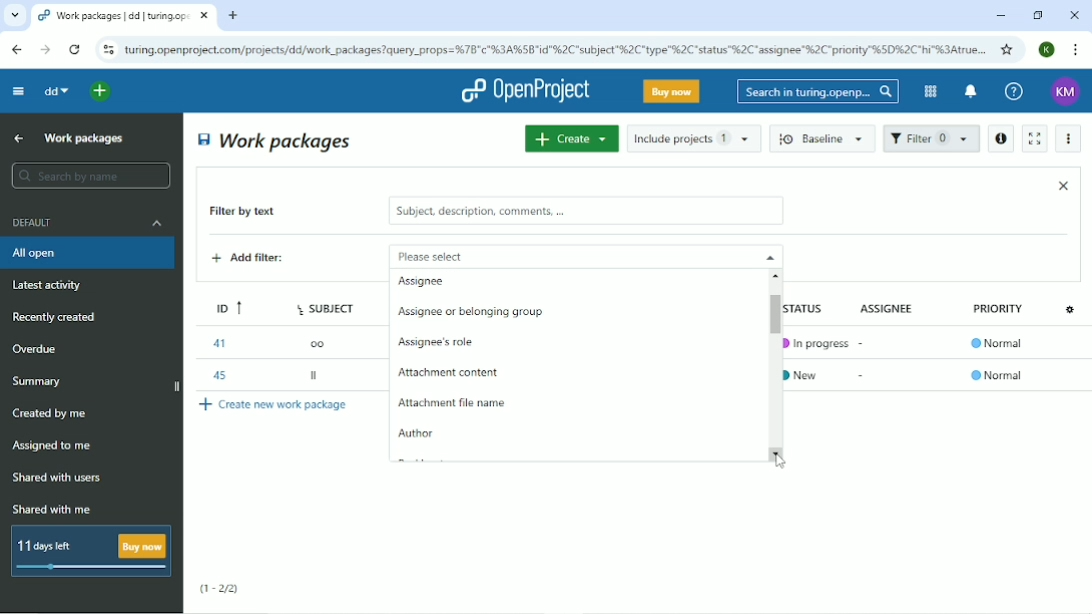 This screenshot has height=614, width=1092. I want to click on ll, so click(316, 378).